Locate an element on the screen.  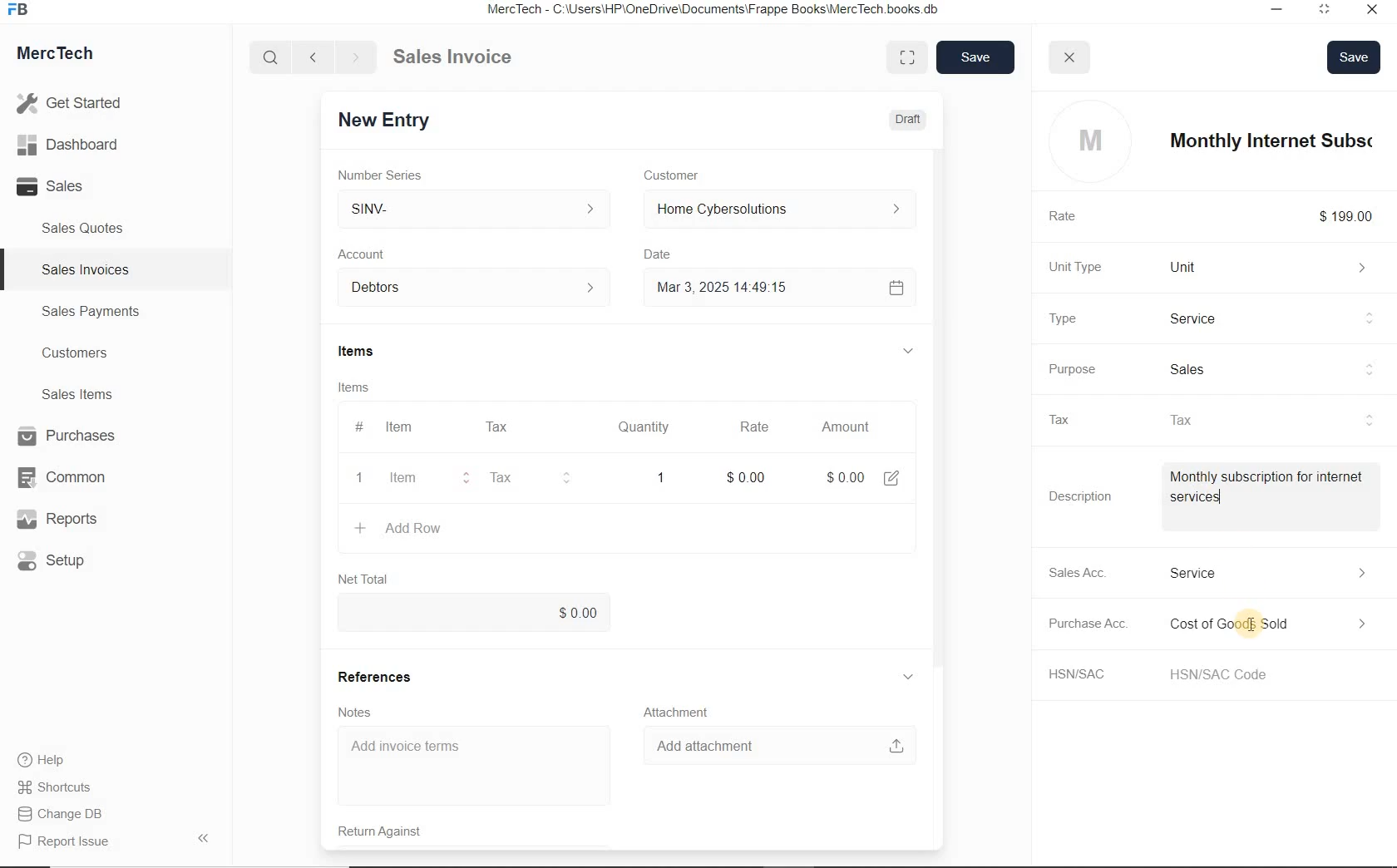
Close is located at coordinates (1359, 12).